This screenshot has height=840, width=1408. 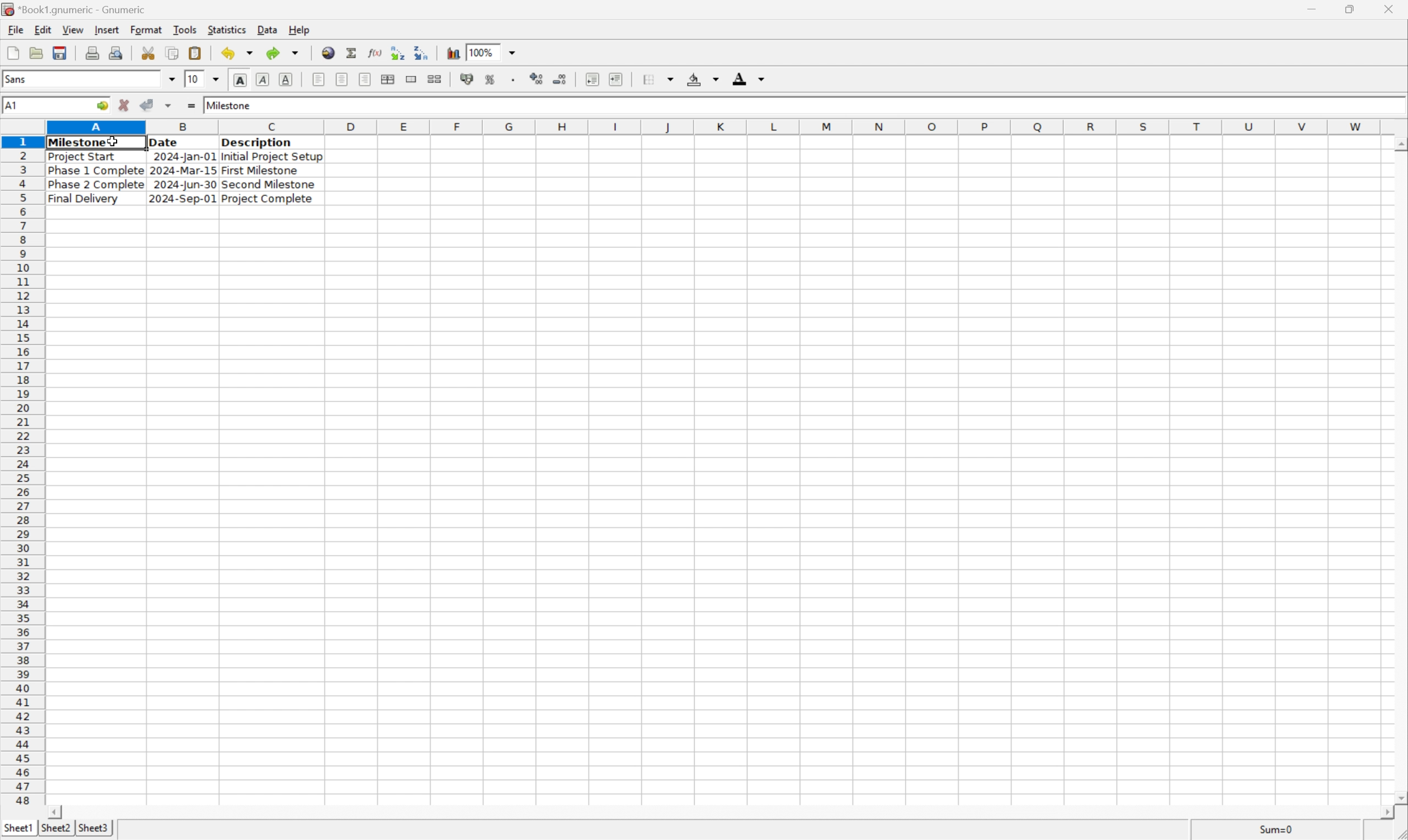 What do you see at coordinates (319, 80) in the screenshot?
I see `align left` at bounding box center [319, 80].